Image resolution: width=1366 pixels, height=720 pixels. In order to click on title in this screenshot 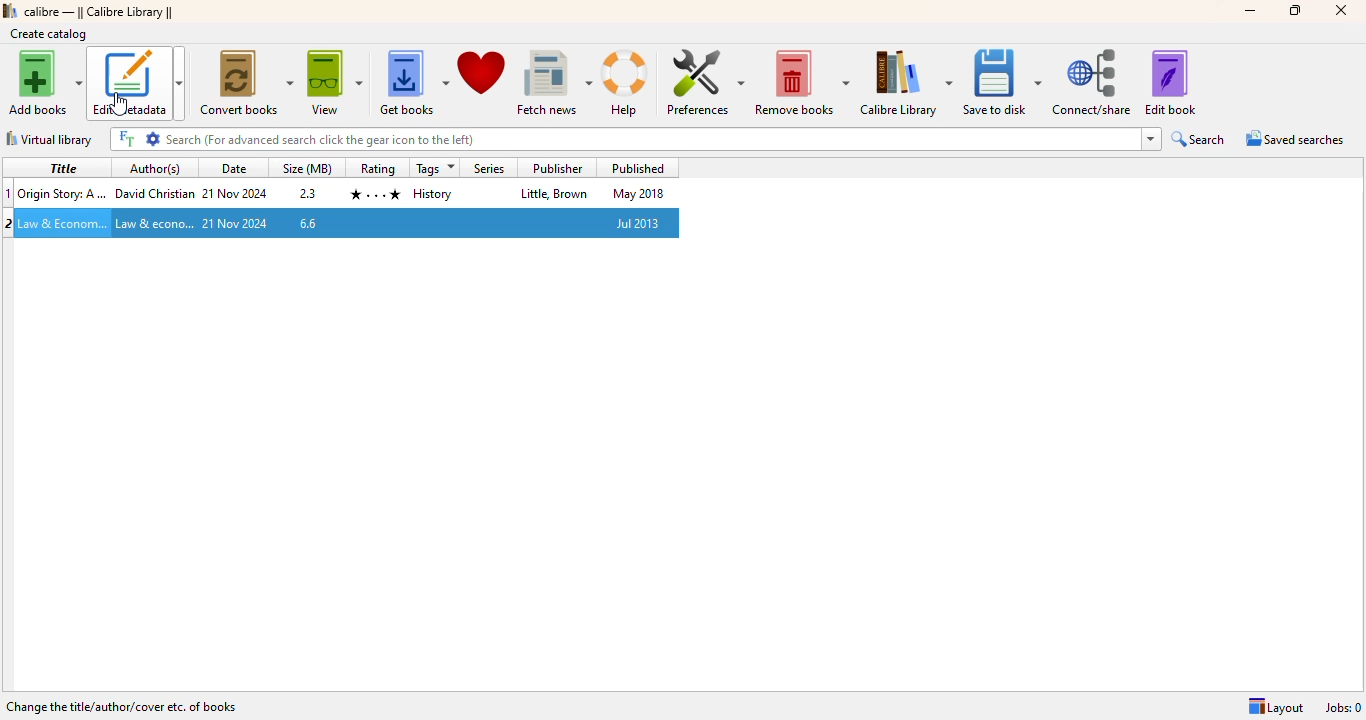, I will do `click(651, 139)`.